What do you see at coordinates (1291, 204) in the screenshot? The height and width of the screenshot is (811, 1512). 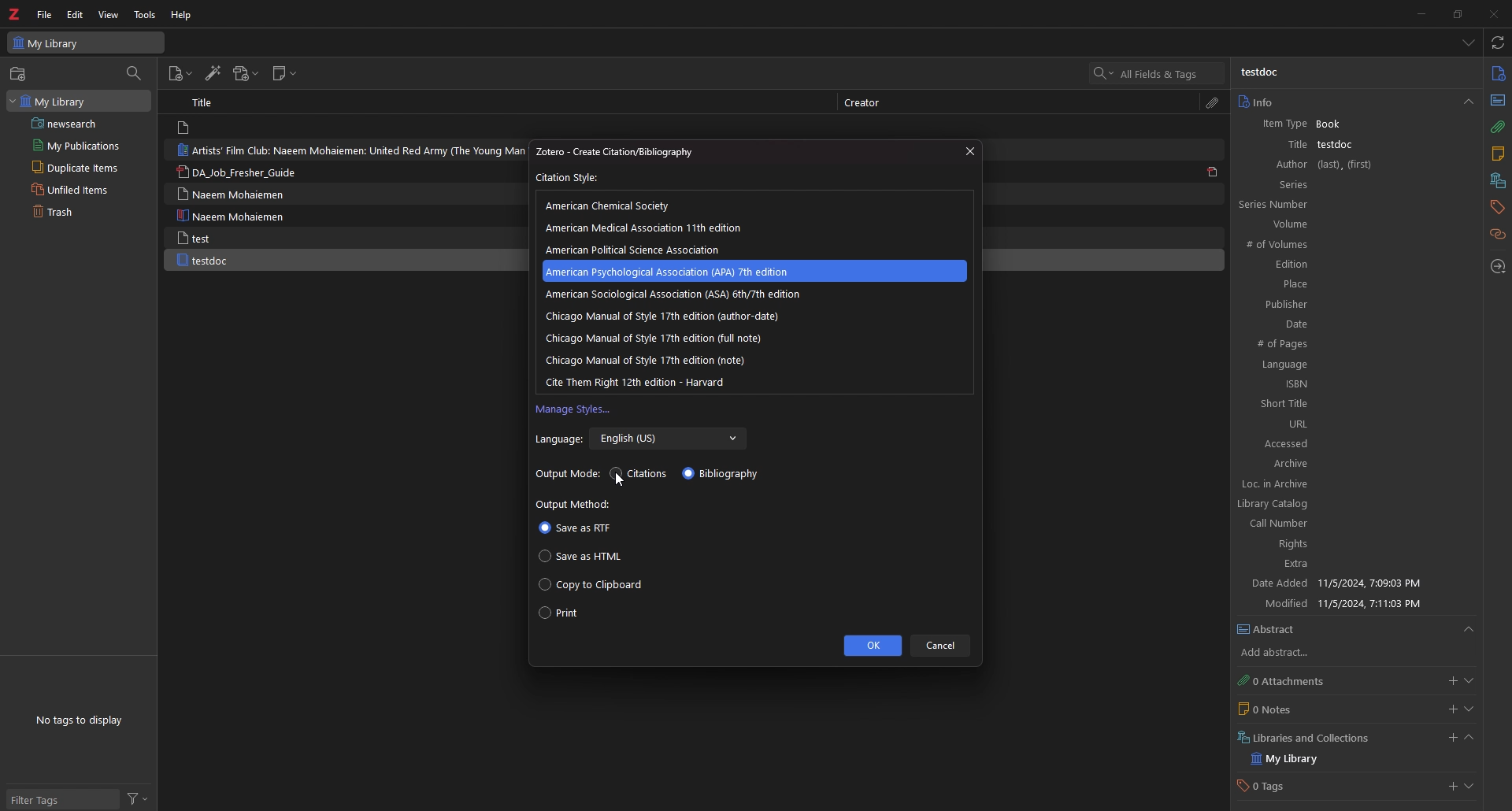 I see `series number` at bounding box center [1291, 204].